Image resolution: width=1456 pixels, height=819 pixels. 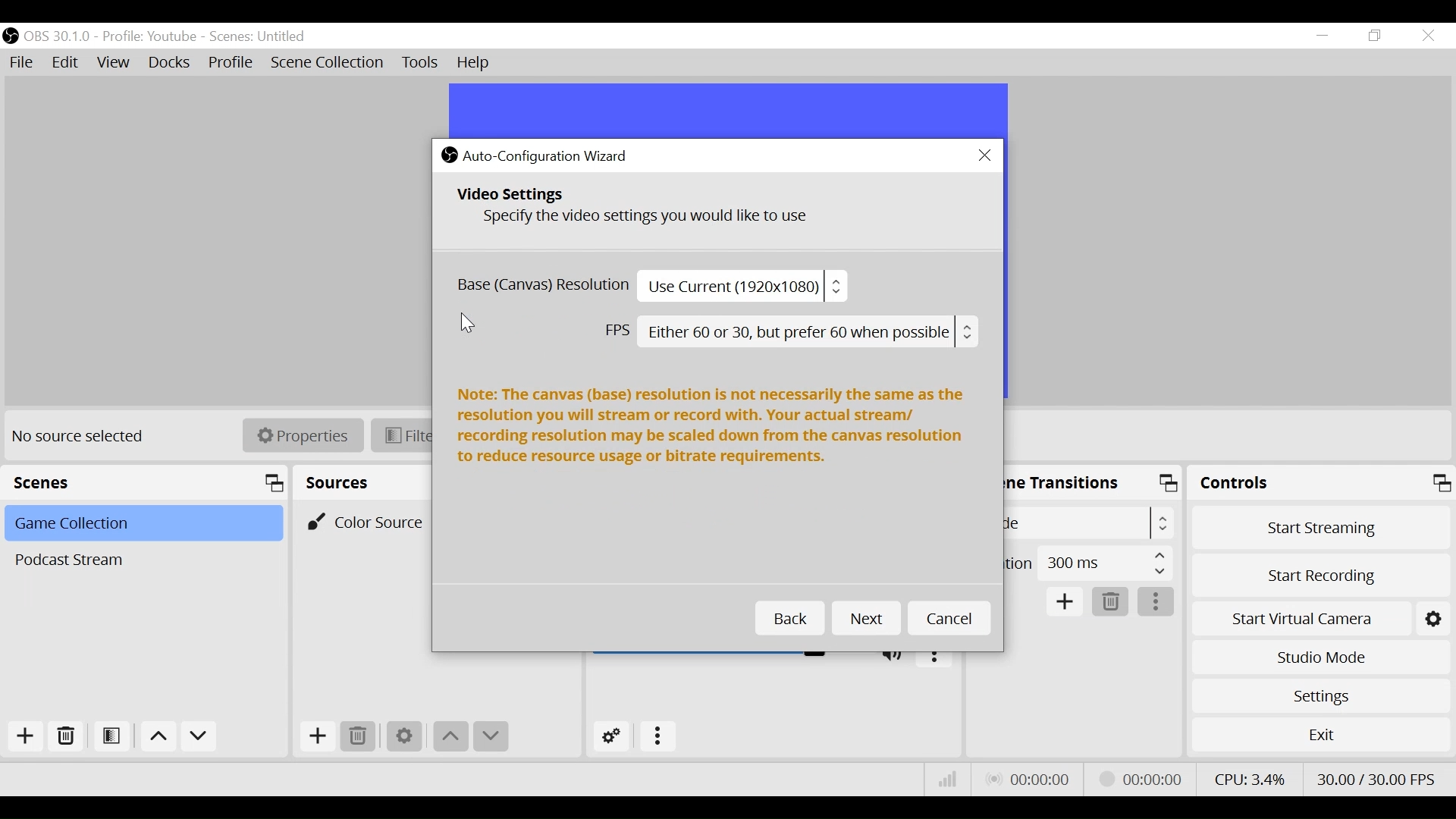 What do you see at coordinates (420, 63) in the screenshot?
I see `Tools` at bounding box center [420, 63].